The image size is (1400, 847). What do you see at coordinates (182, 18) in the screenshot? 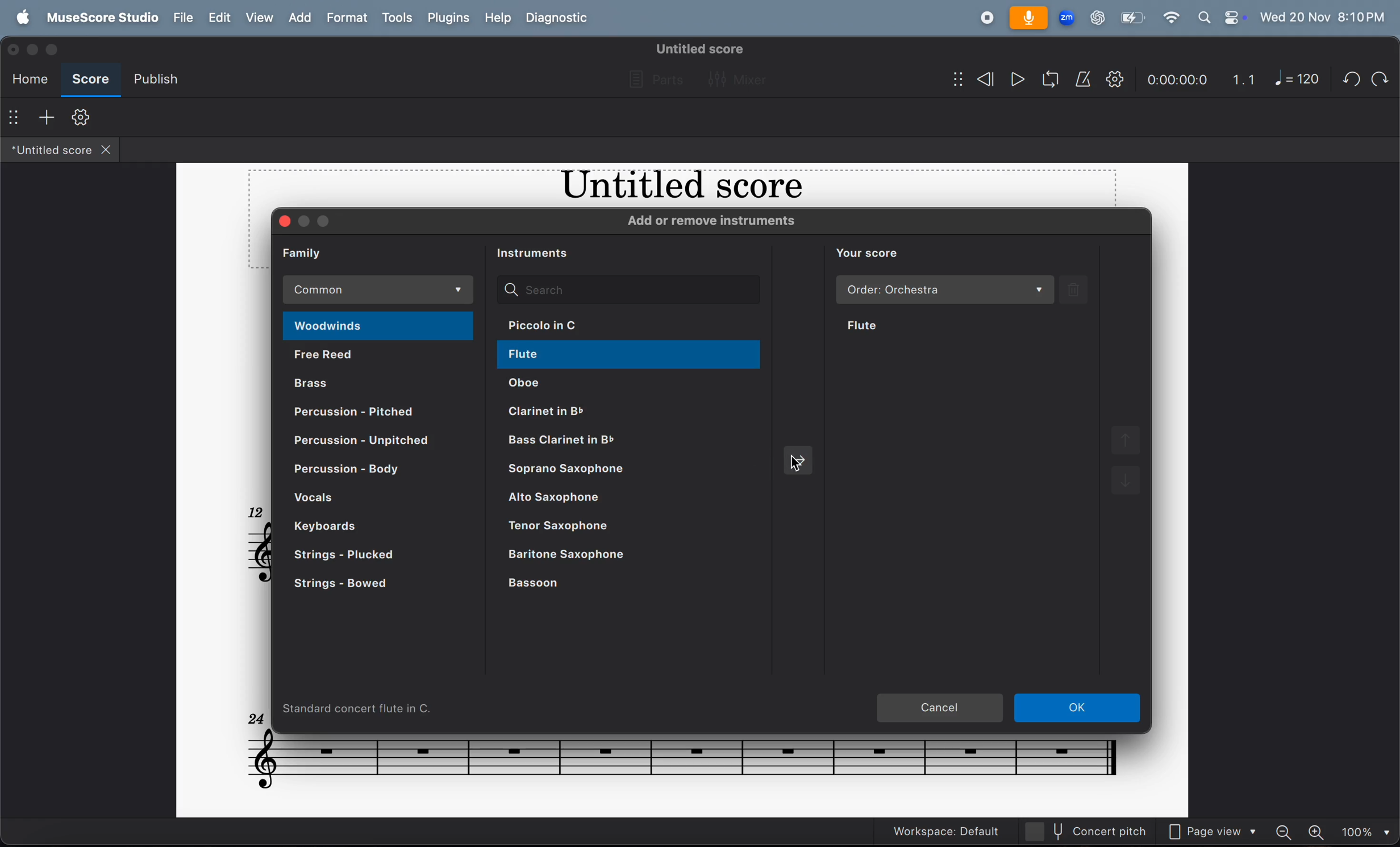
I see `file` at bounding box center [182, 18].